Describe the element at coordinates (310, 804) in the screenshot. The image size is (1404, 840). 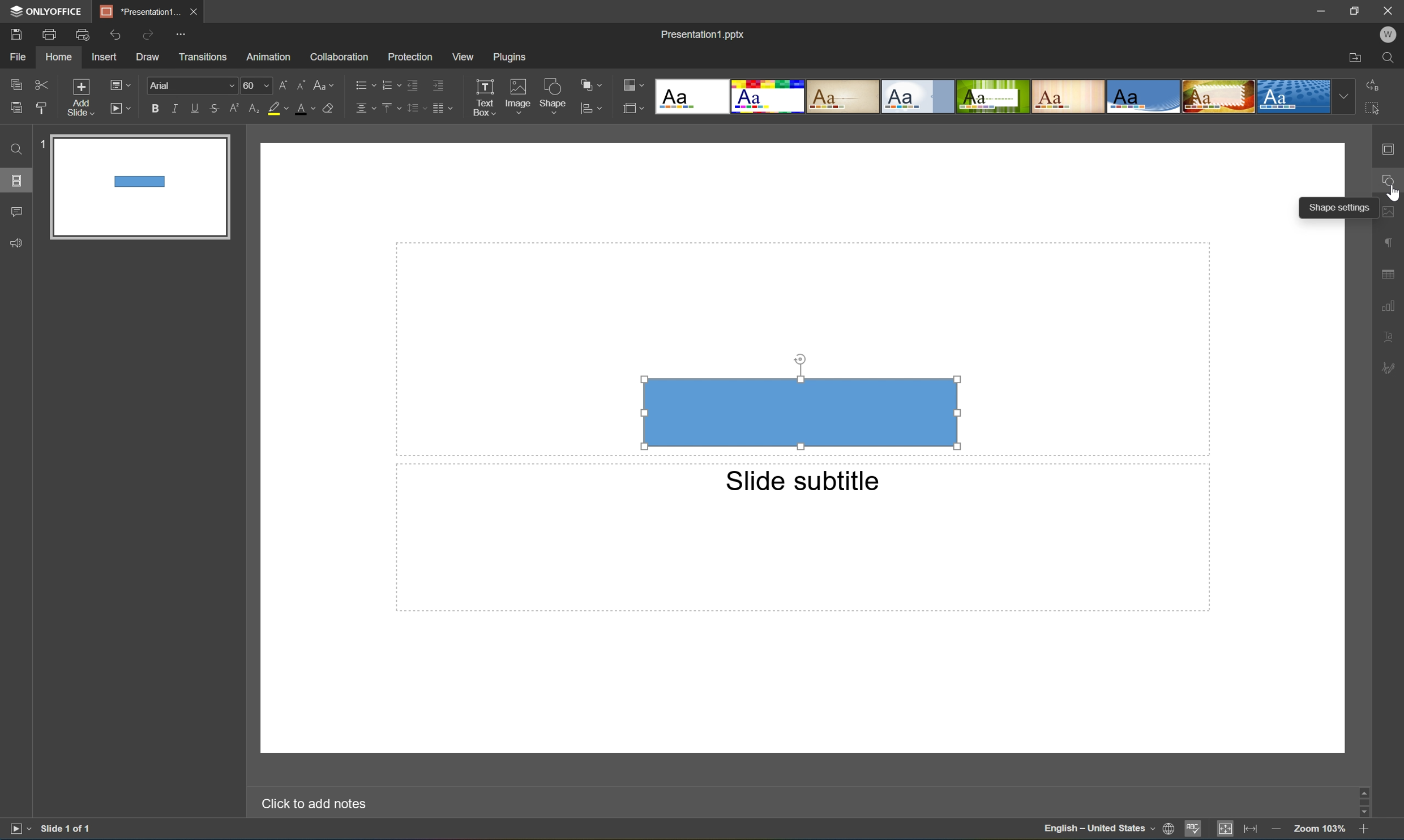
I see `Click to add notes` at that location.